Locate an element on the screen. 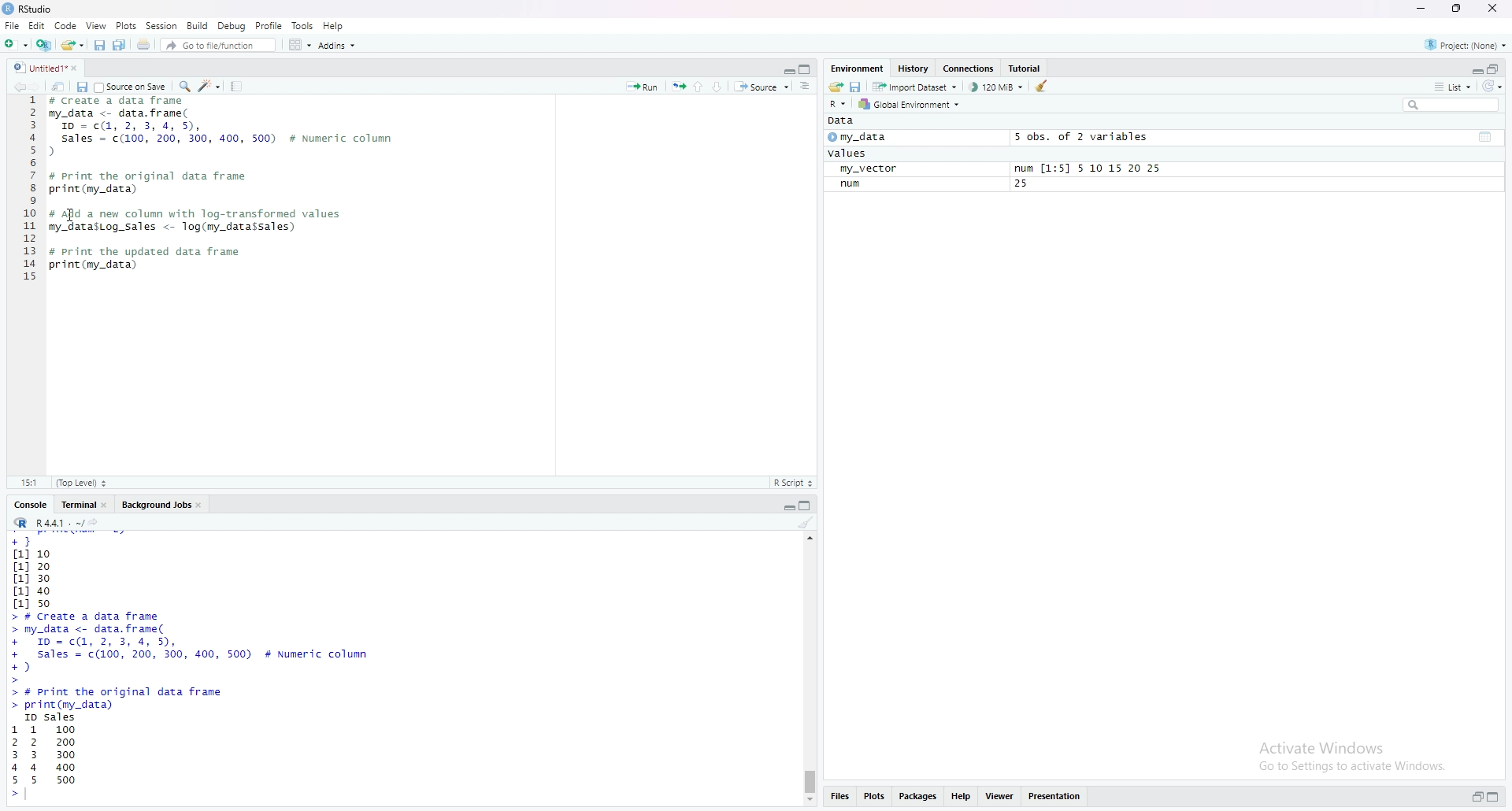  Code is located at coordinates (66, 27).